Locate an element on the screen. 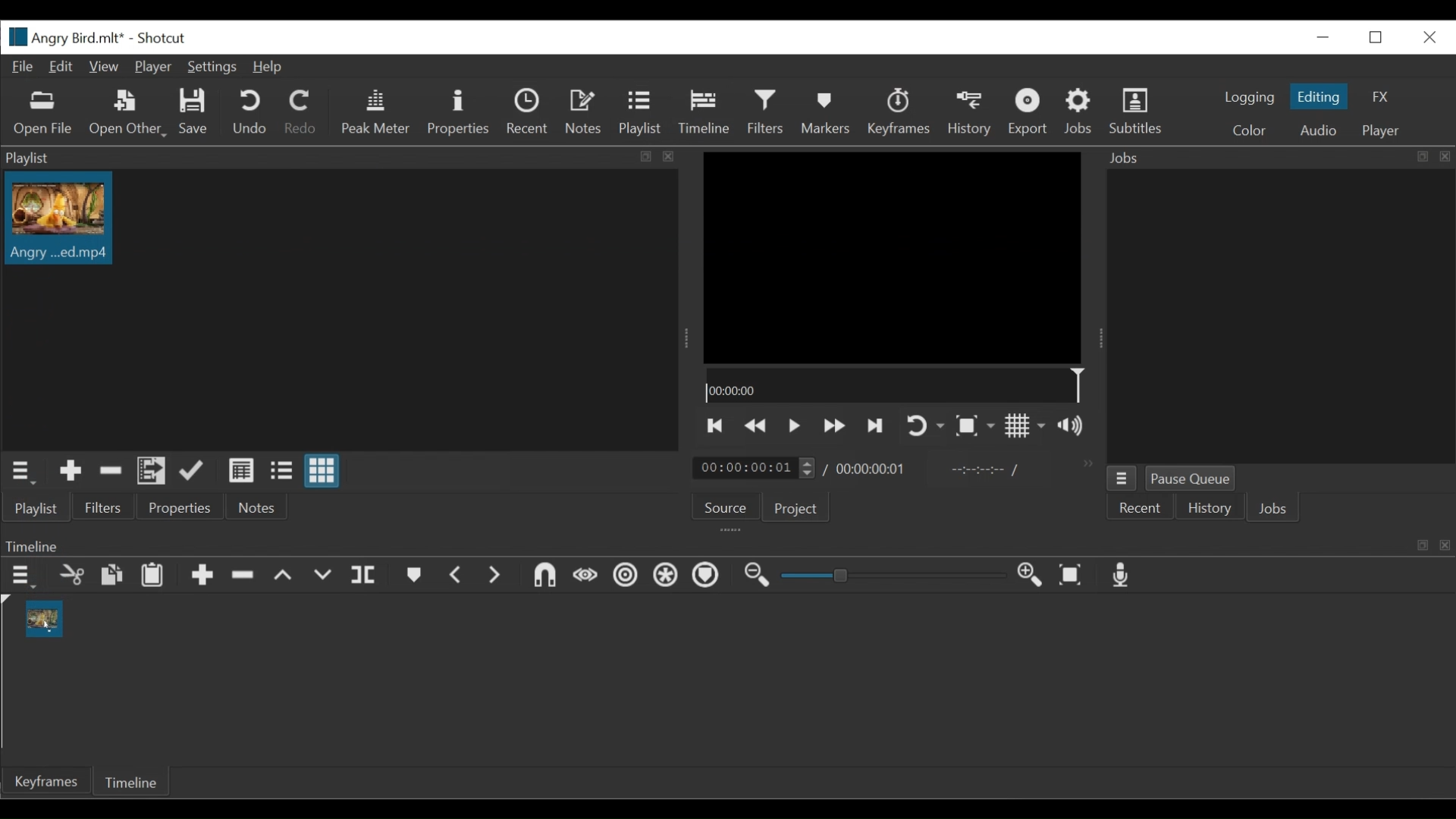 Image resolution: width=1456 pixels, height=819 pixels. History is located at coordinates (971, 113).